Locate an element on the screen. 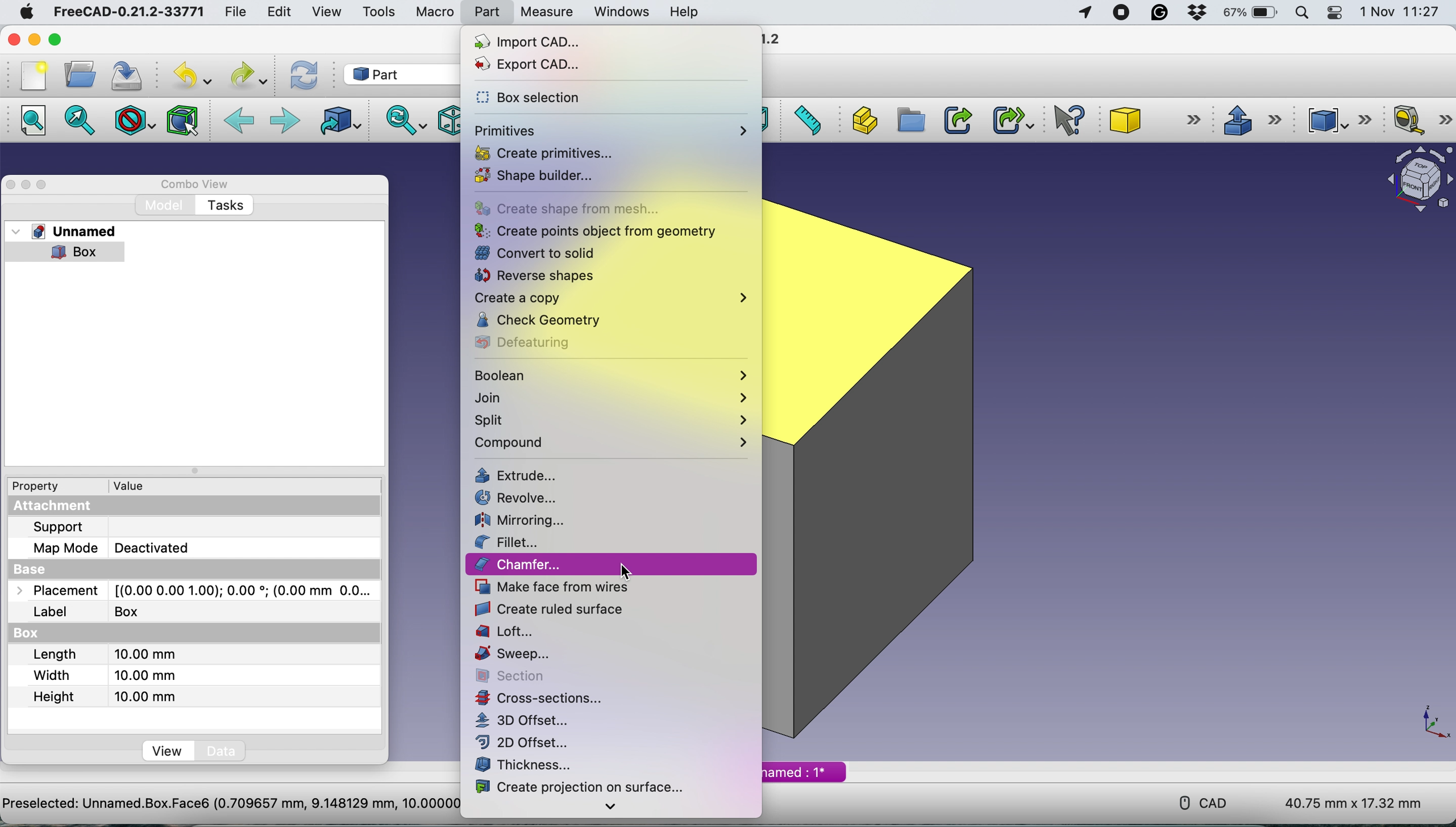 The width and height of the screenshot is (1456, 827). placement is located at coordinates (188, 590).